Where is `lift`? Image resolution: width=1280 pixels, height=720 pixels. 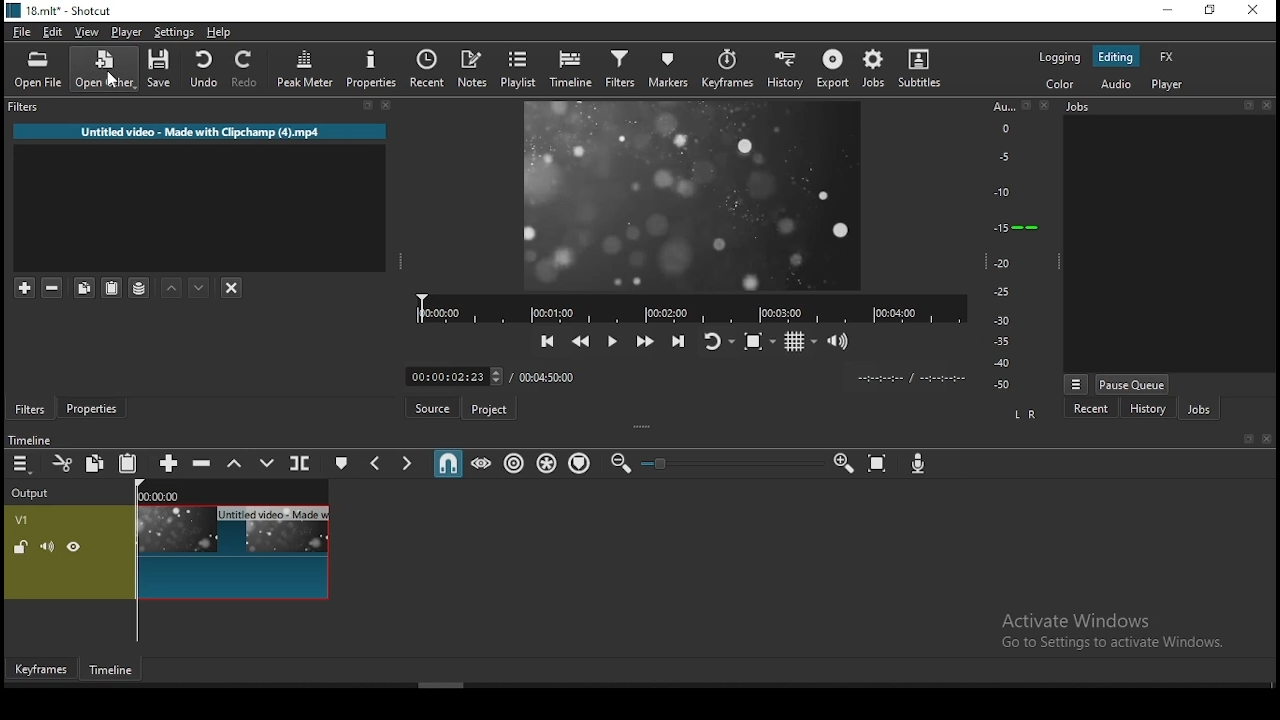
lift is located at coordinates (234, 464).